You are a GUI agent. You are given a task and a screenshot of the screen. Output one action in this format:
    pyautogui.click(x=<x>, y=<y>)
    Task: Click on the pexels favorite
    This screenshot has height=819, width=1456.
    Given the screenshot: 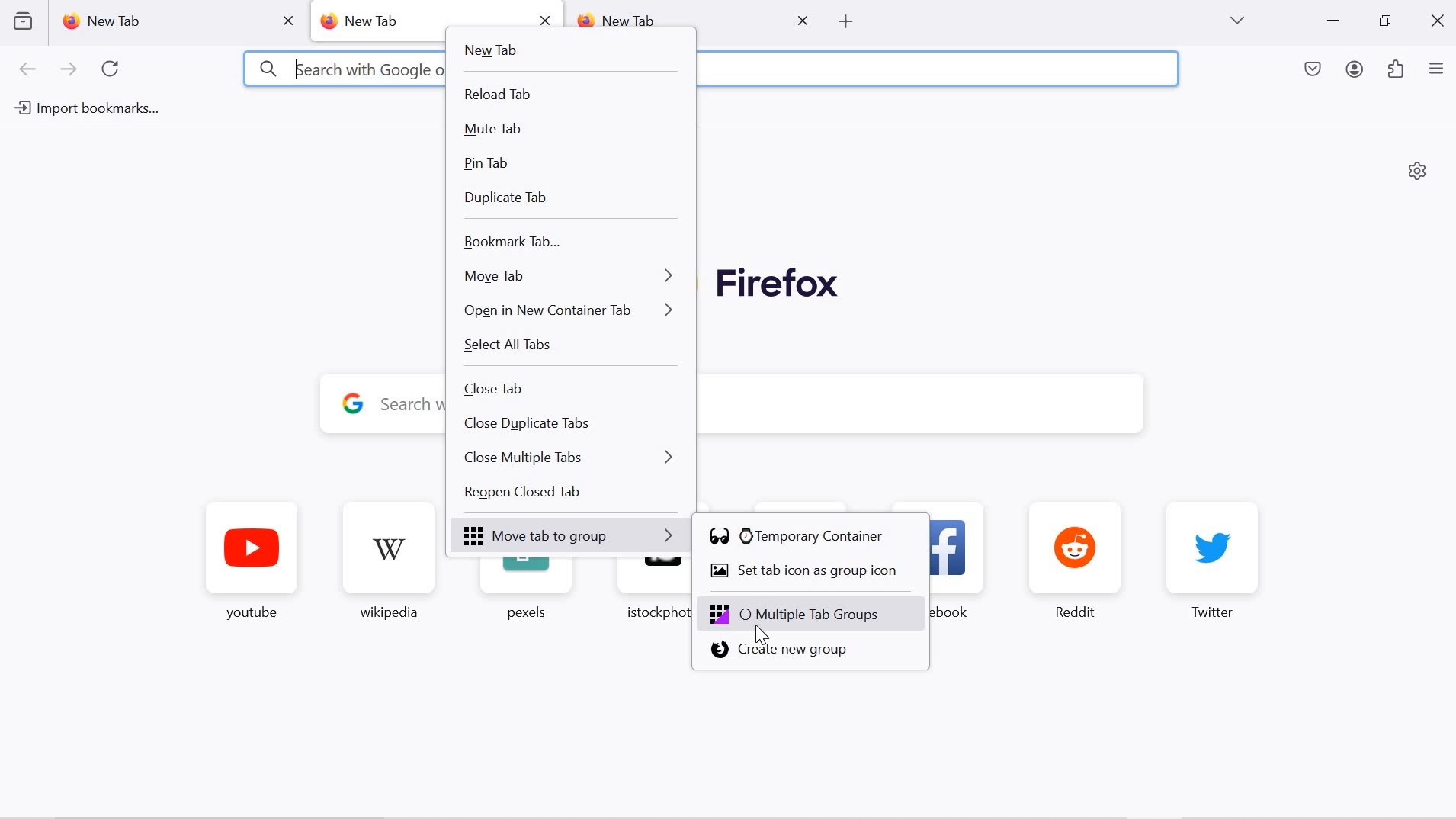 What is the action you would take?
    pyautogui.click(x=519, y=592)
    